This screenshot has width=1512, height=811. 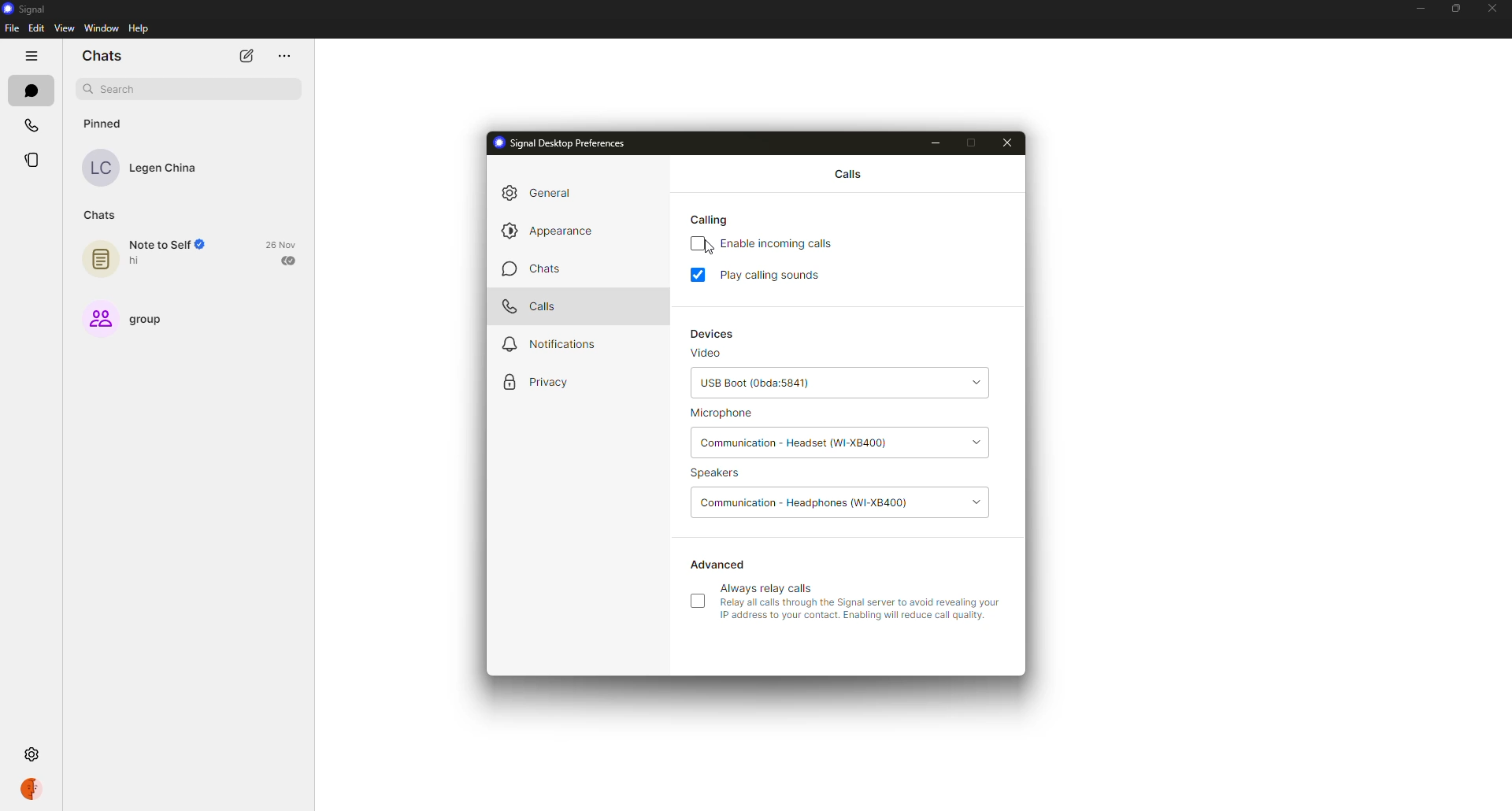 I want to click on video, so click(x=711, y=354).